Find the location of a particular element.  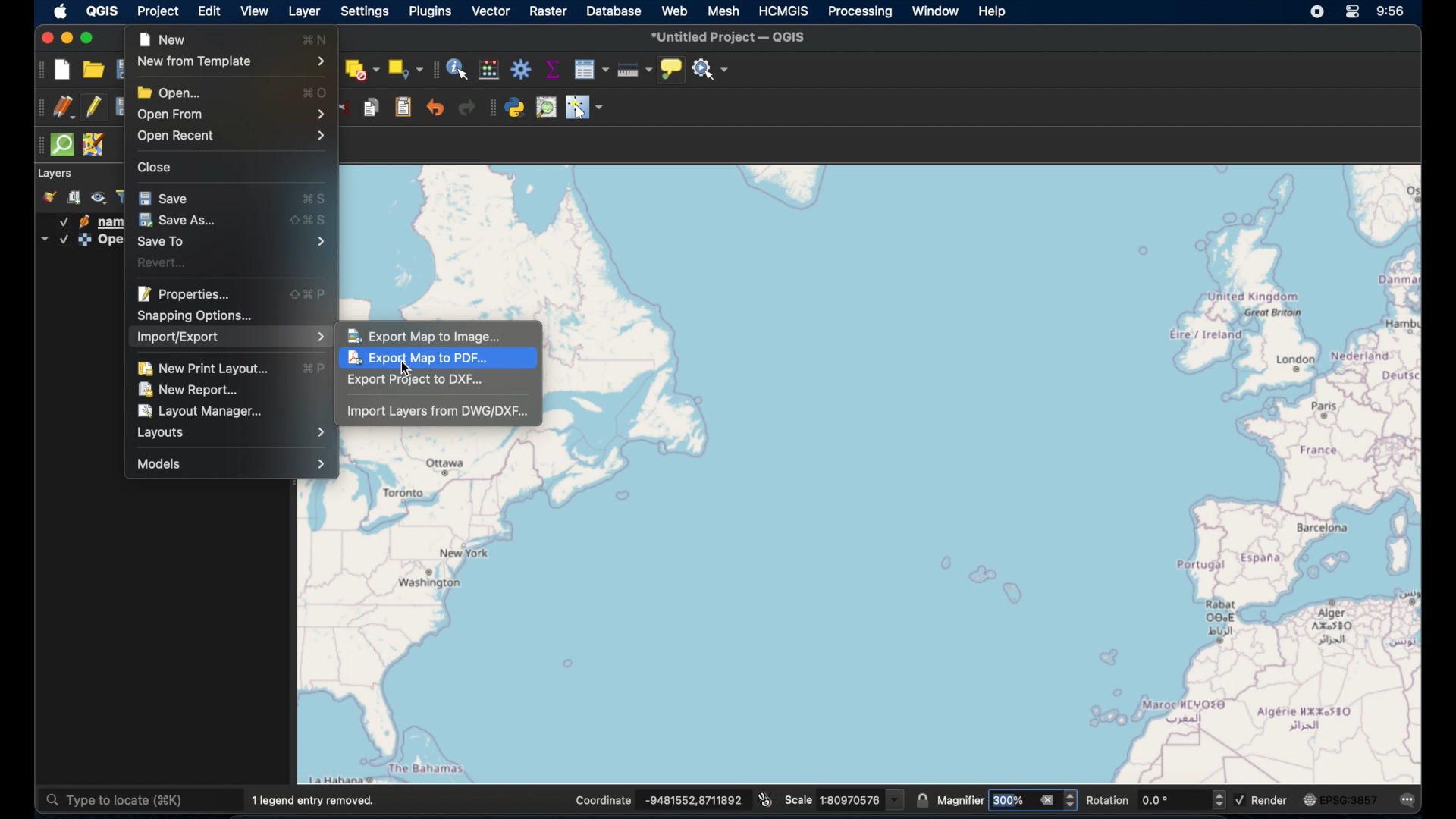

paste features is located at coordinates (404, 108).